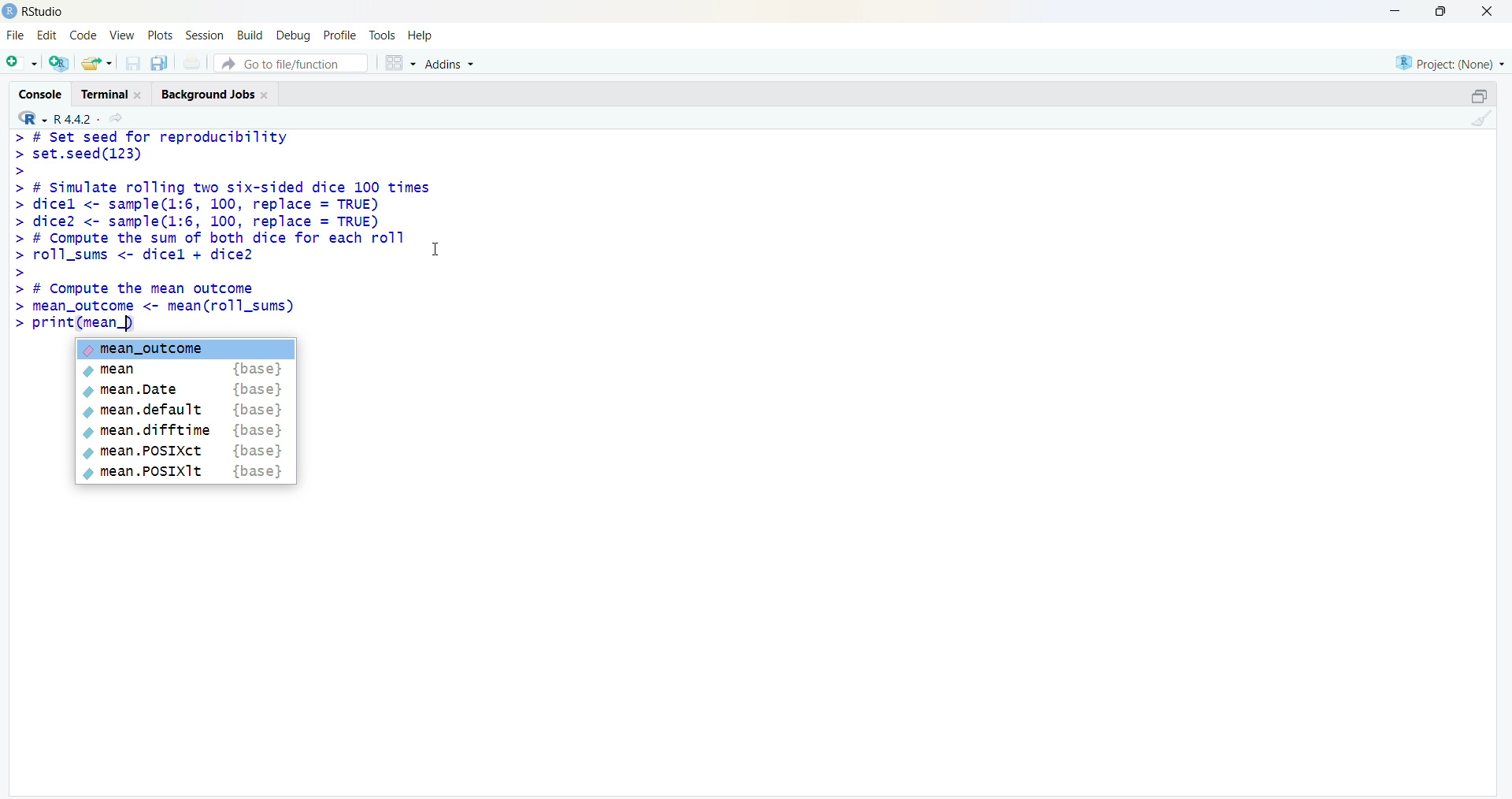 The width and height of the screenshot is (1512, 799). Describe the element at coordinates (47, 35) in the screenshot. I see `edit` at that location.